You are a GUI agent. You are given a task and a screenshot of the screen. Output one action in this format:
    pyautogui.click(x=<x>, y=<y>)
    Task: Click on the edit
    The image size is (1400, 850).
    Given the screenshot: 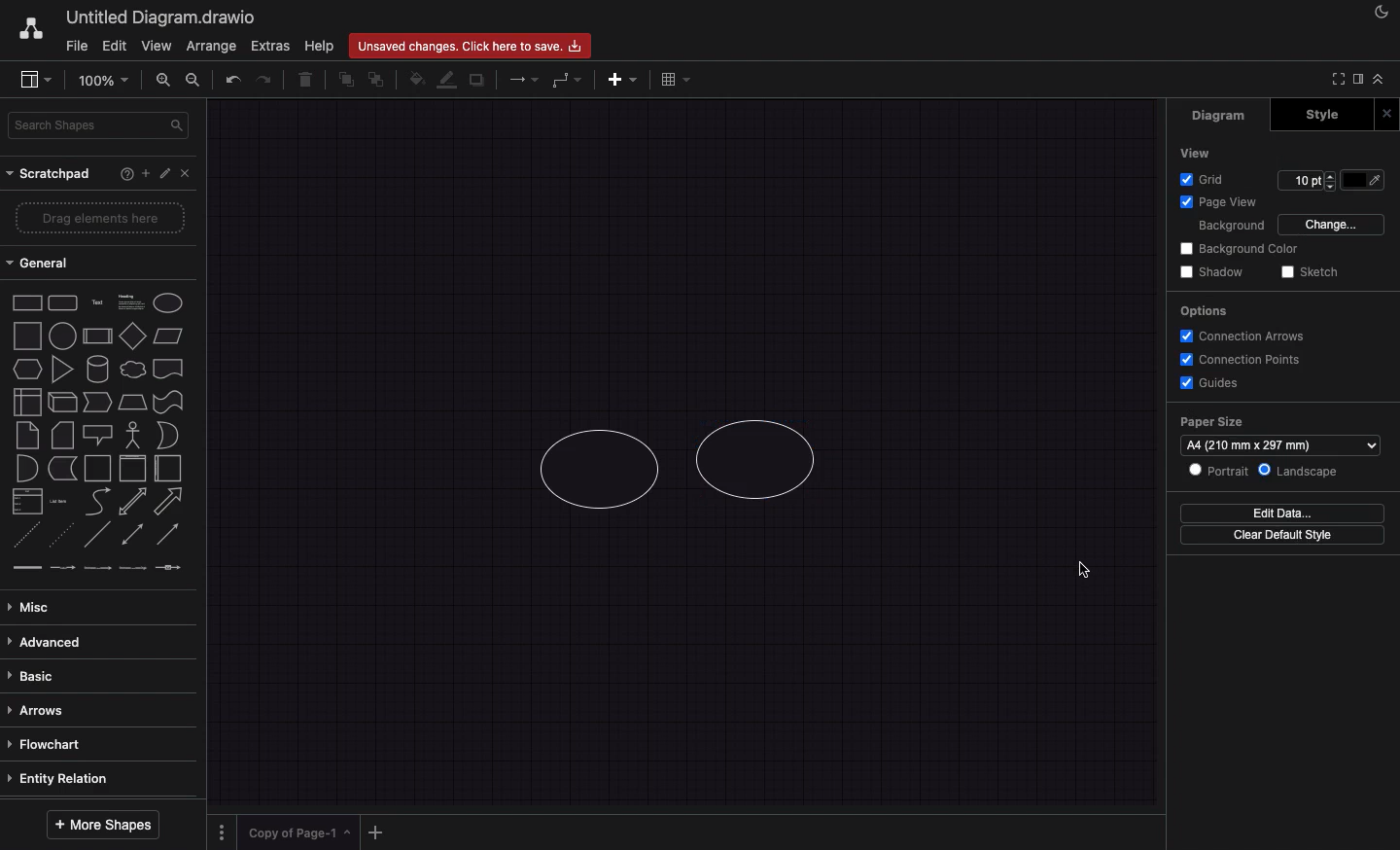 What is the action you would take?
    pyautogui.click(x=164, y=173)
    